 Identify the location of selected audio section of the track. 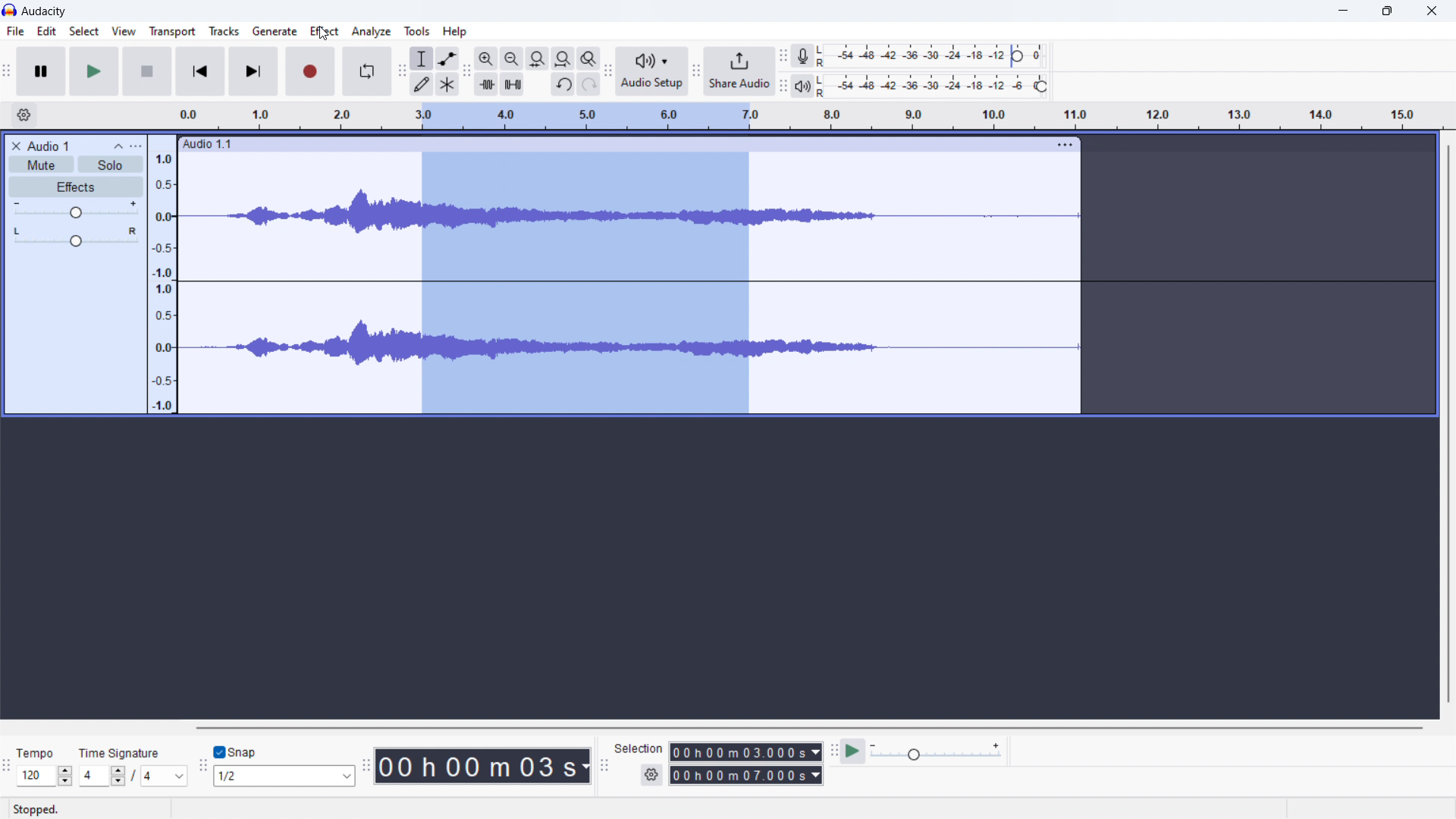
(584, 281).